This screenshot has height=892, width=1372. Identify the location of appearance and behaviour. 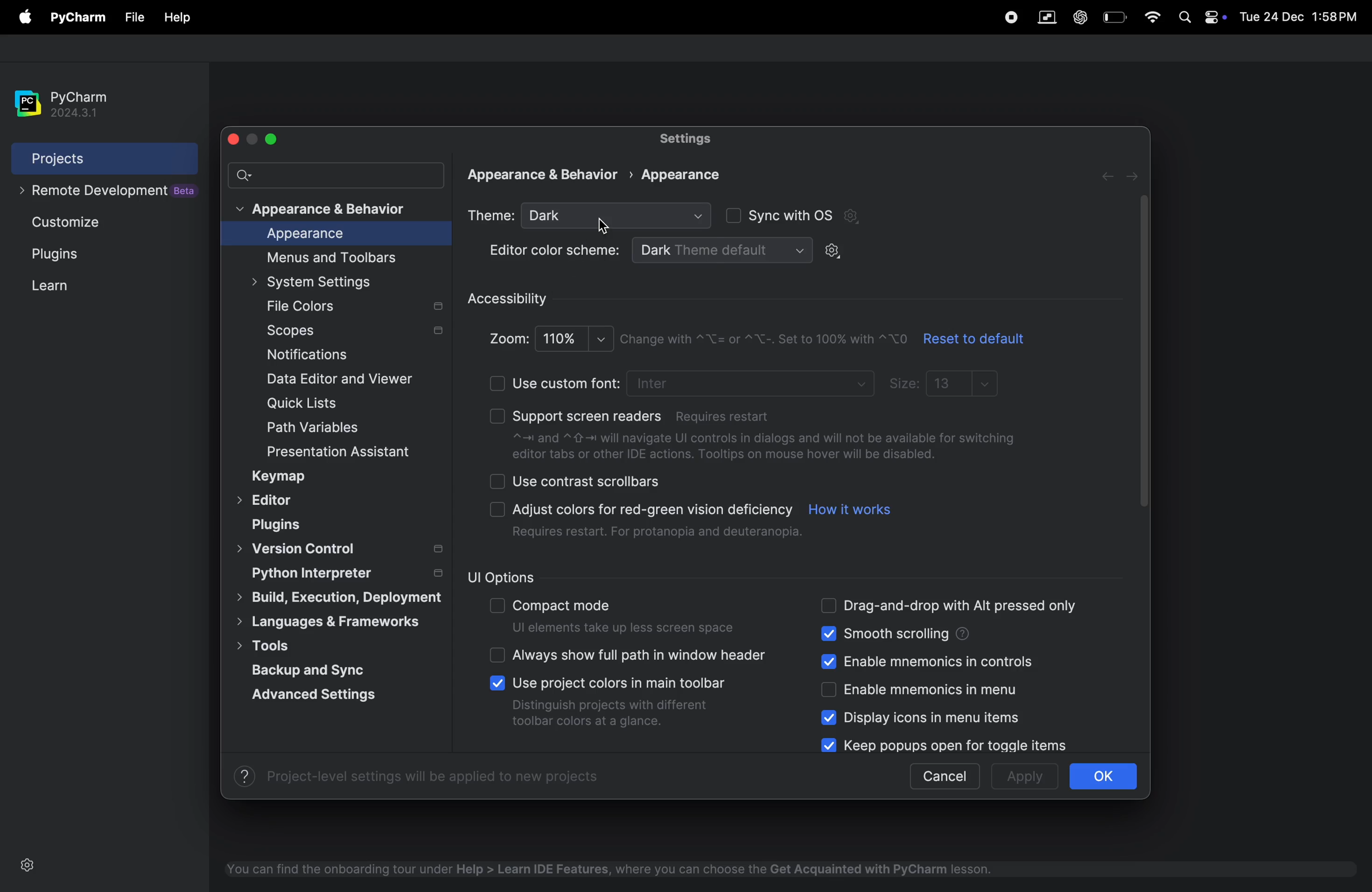
(332, 211).